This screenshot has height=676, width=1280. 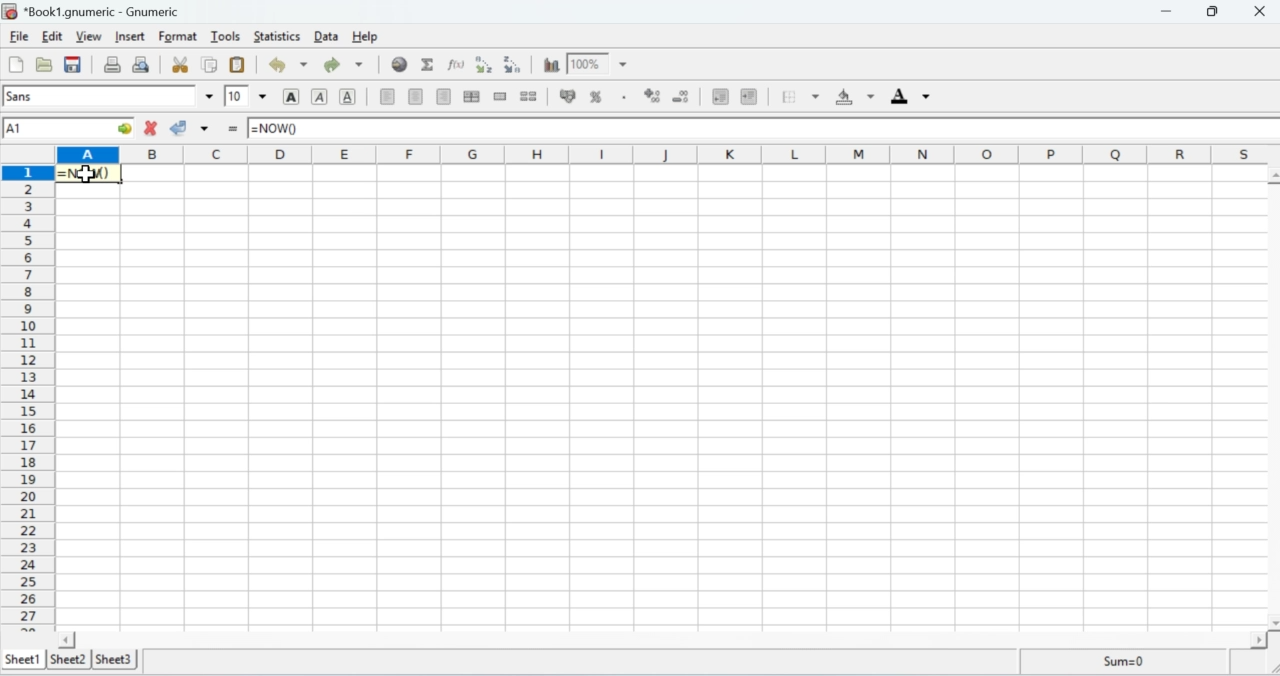 I want to click on Format, so click(x=179, y=37).